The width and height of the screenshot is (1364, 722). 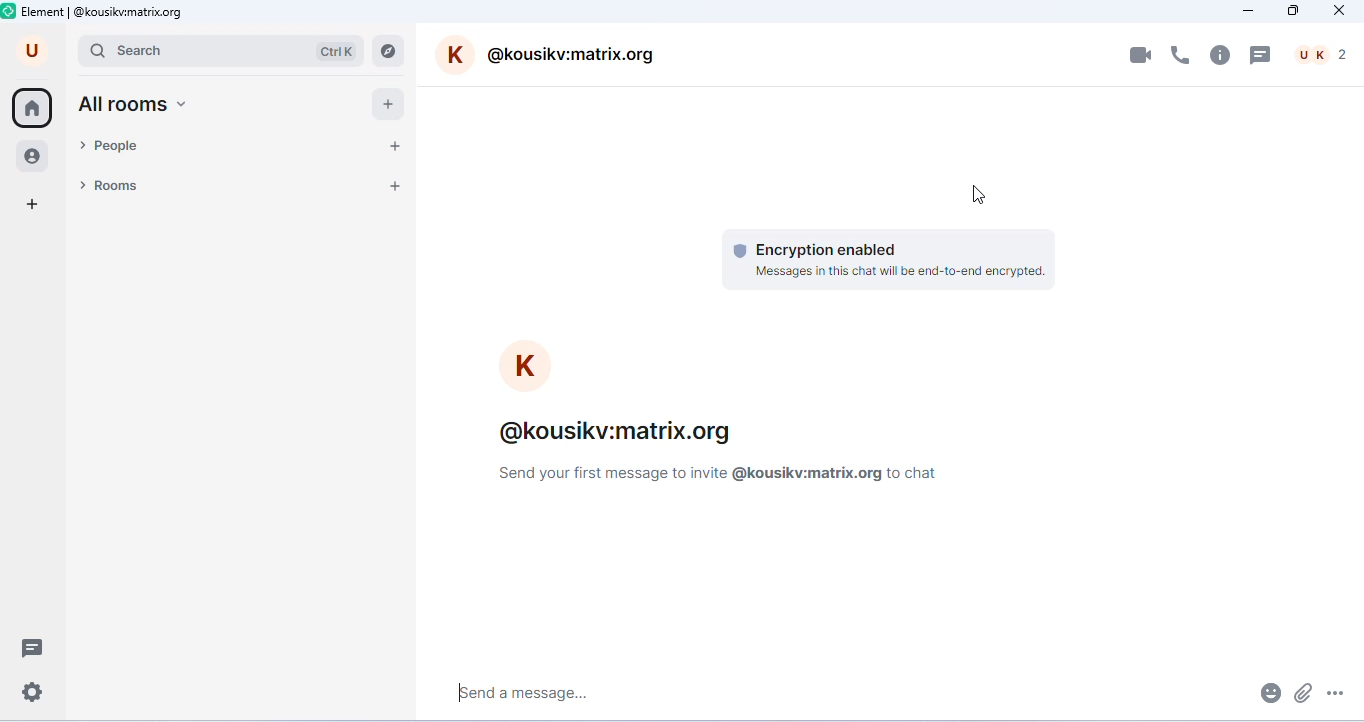 What do you see at coordinates (110, 148) in the screenshot?
I see `people` at bounding box center [110, 148].